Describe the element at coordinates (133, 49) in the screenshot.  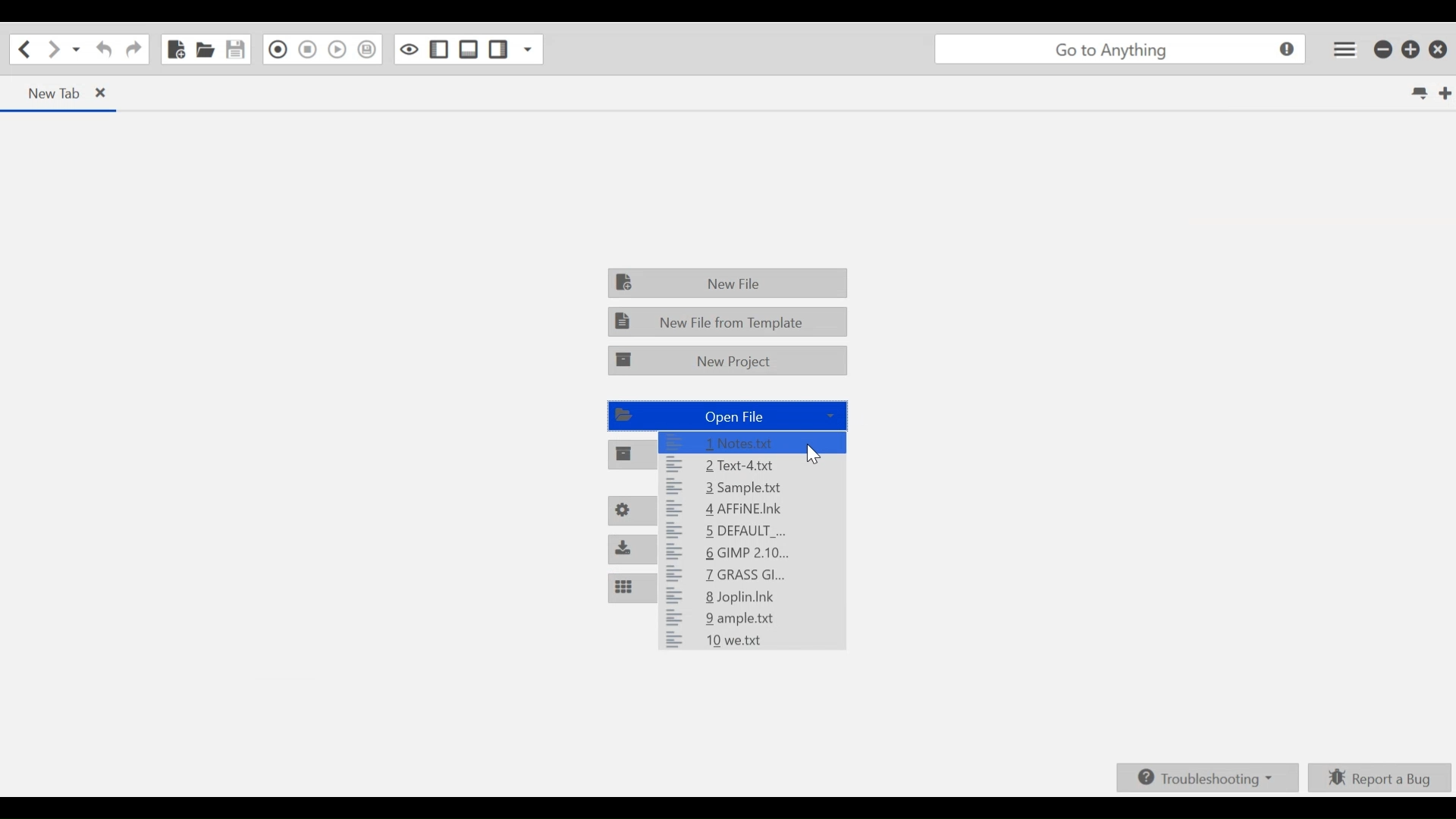
I see `Undo the last action` at that location.